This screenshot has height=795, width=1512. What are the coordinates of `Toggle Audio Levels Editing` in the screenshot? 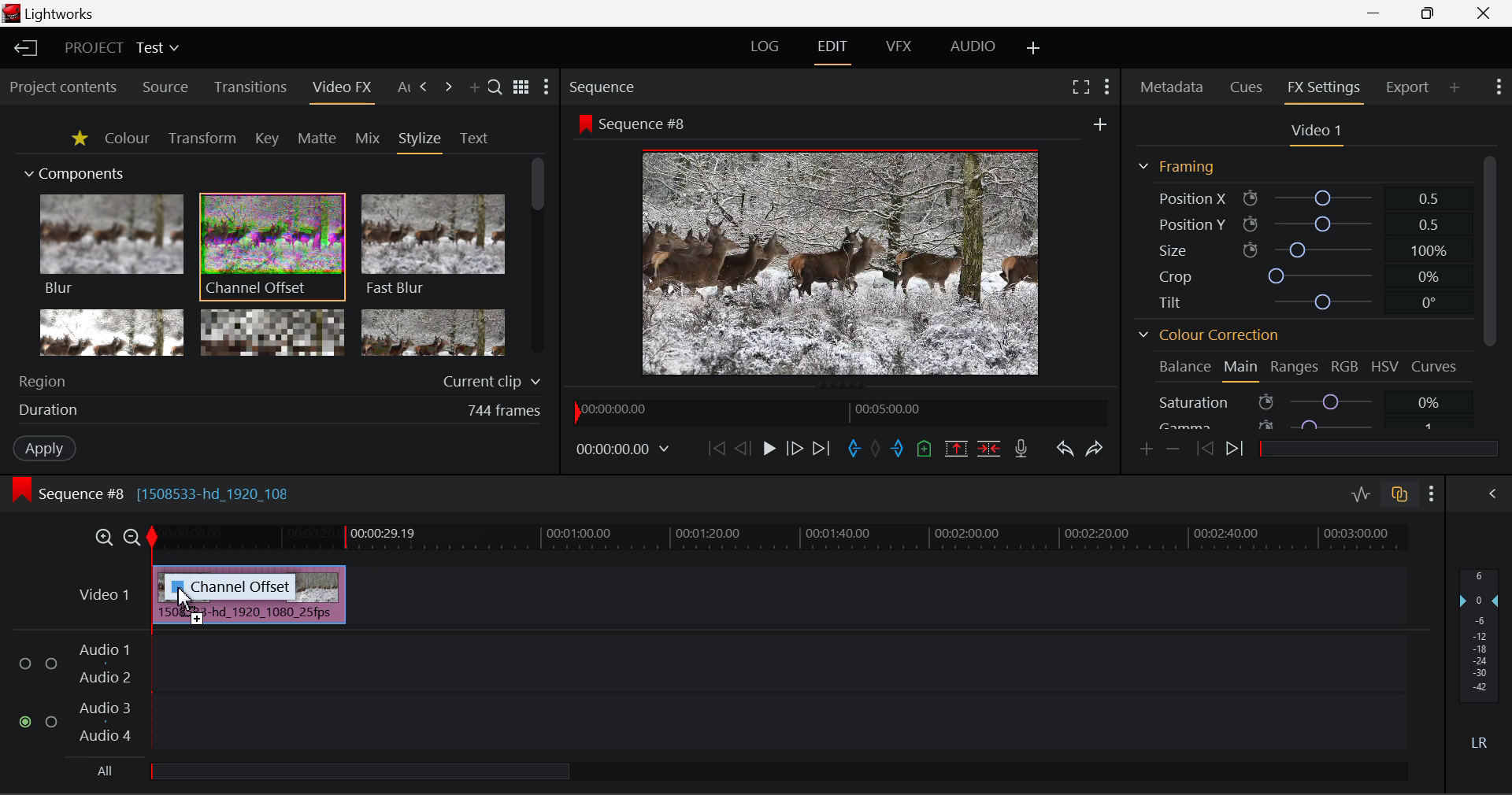 It's located at (1362, 495).